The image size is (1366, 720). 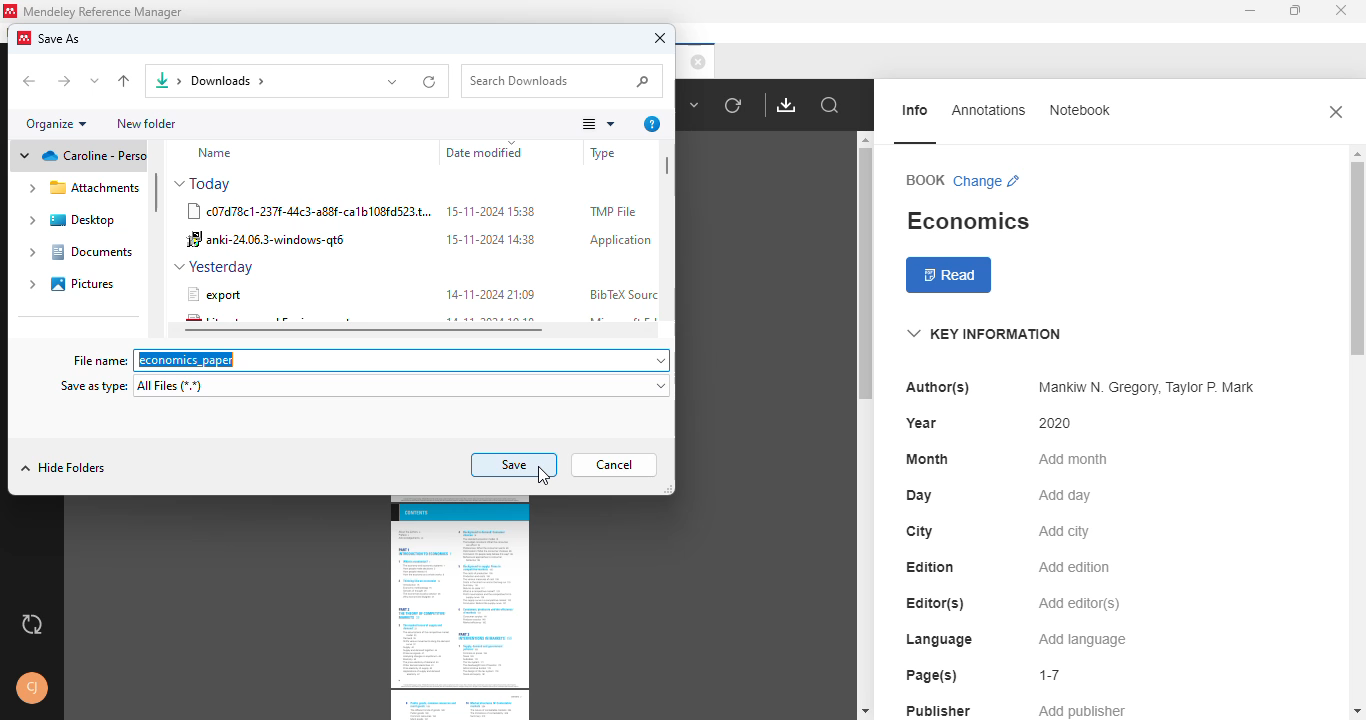 What do you see at coordinates (925, 179) in the screenshot?
I see `book` at bounding box center [925, 179].